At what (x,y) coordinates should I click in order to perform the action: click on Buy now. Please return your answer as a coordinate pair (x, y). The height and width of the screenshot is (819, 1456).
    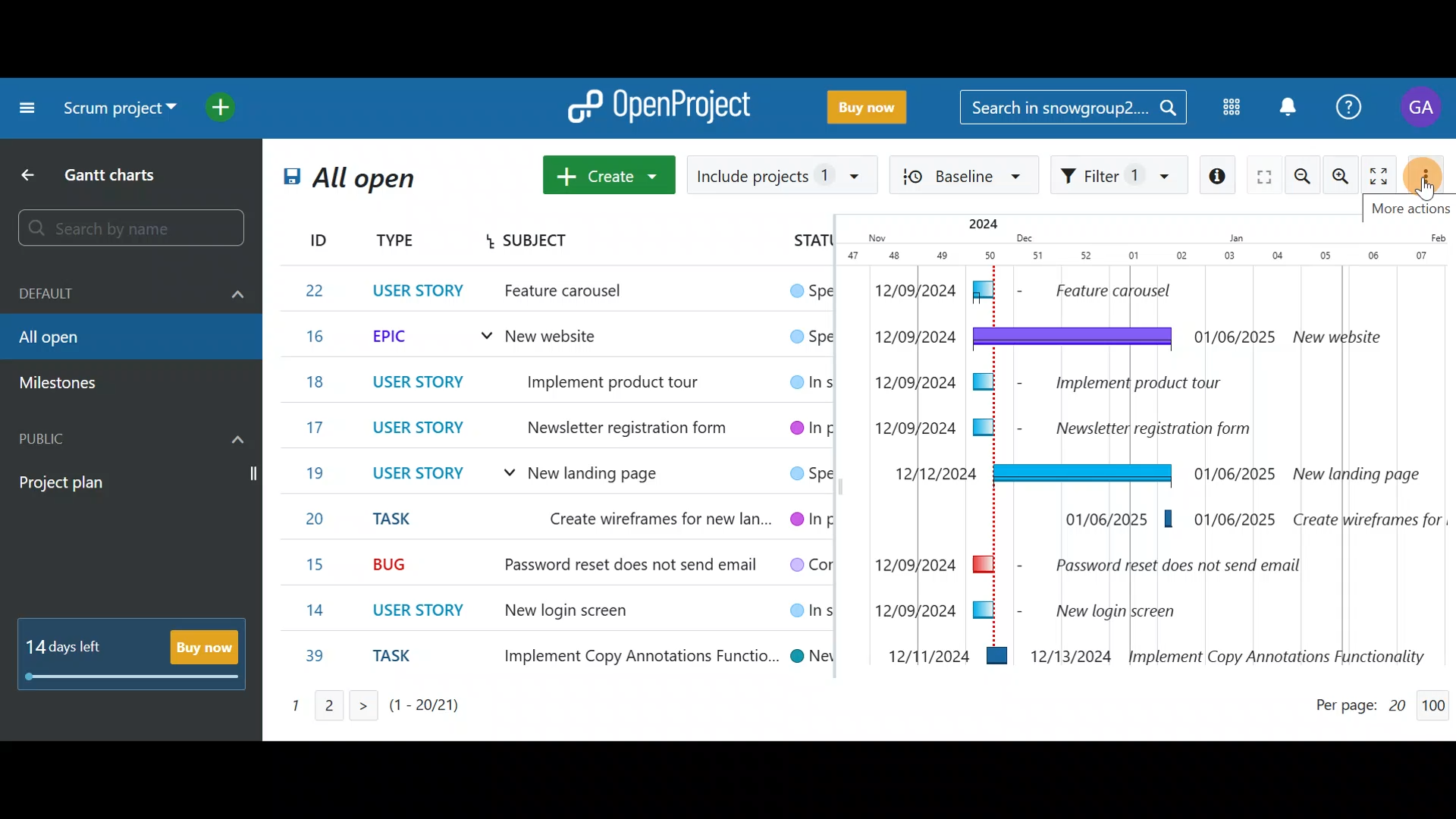
    Looking at the image, I should click on (872, 105).